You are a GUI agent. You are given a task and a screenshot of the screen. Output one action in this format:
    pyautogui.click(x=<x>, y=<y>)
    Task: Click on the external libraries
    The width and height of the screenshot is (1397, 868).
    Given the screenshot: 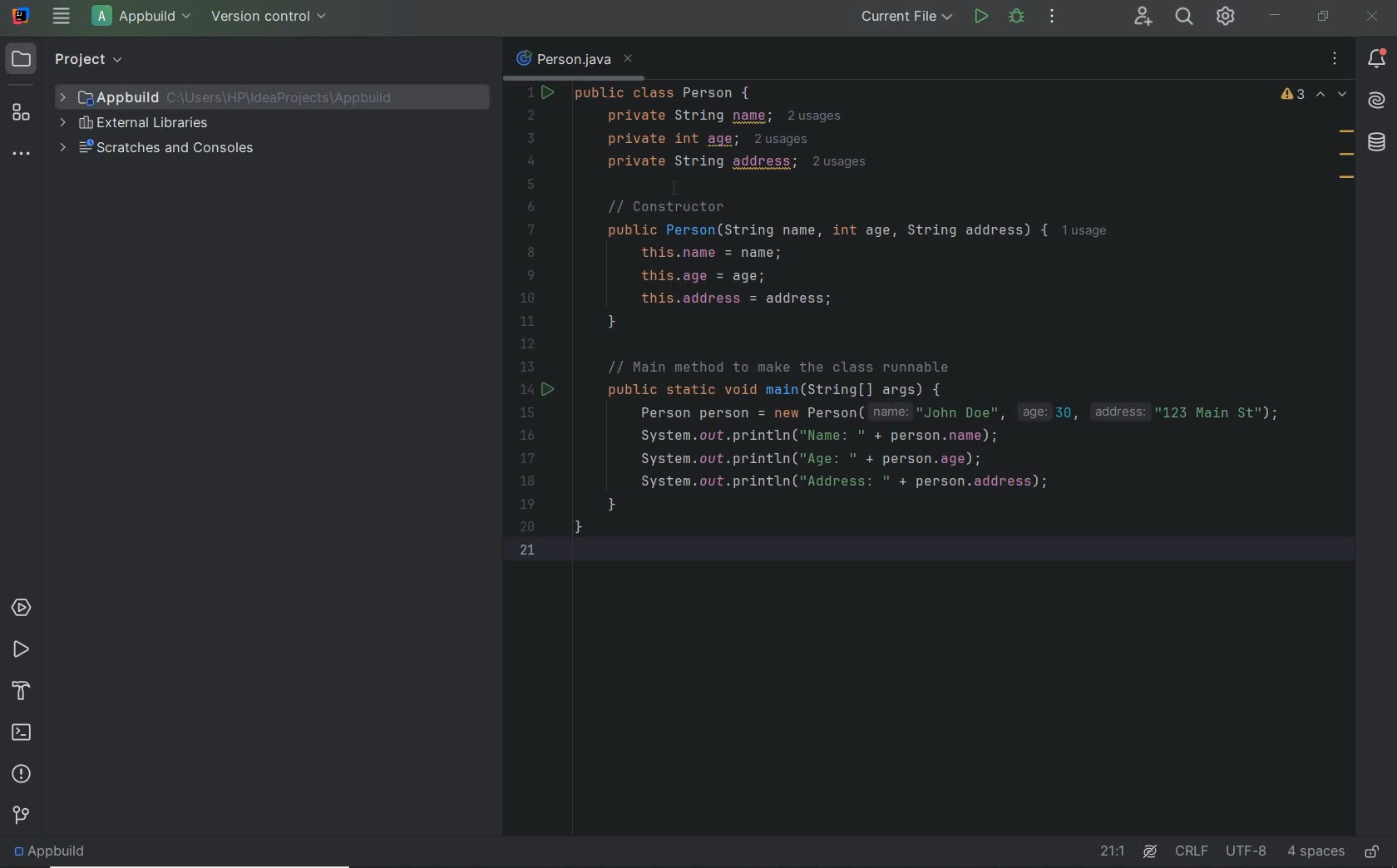 What is the action you would take?
    pyautogui.click(x=136, y=123)
    